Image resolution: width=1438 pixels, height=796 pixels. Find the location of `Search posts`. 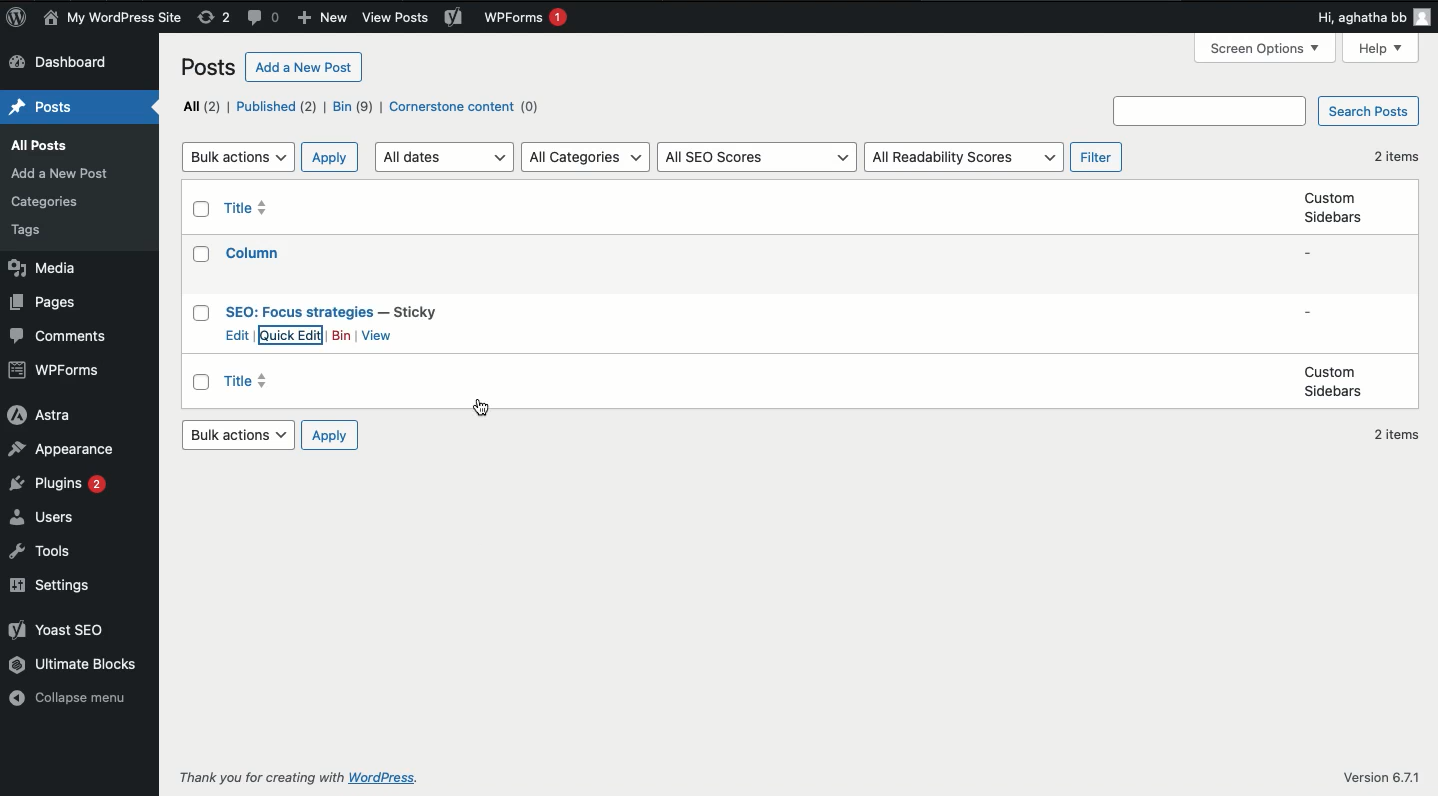

Search posts is located at coordinates (1366, 113).